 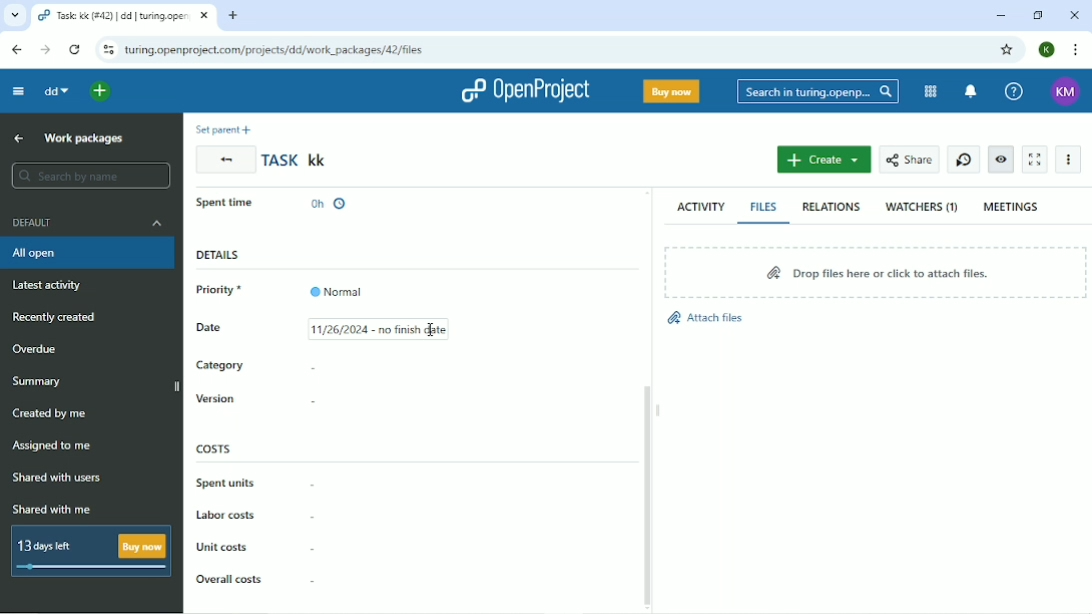 What do you see at coordinates (225, 482) in the screenshot?
I see `Spent units` at bounding box center [225, 482].